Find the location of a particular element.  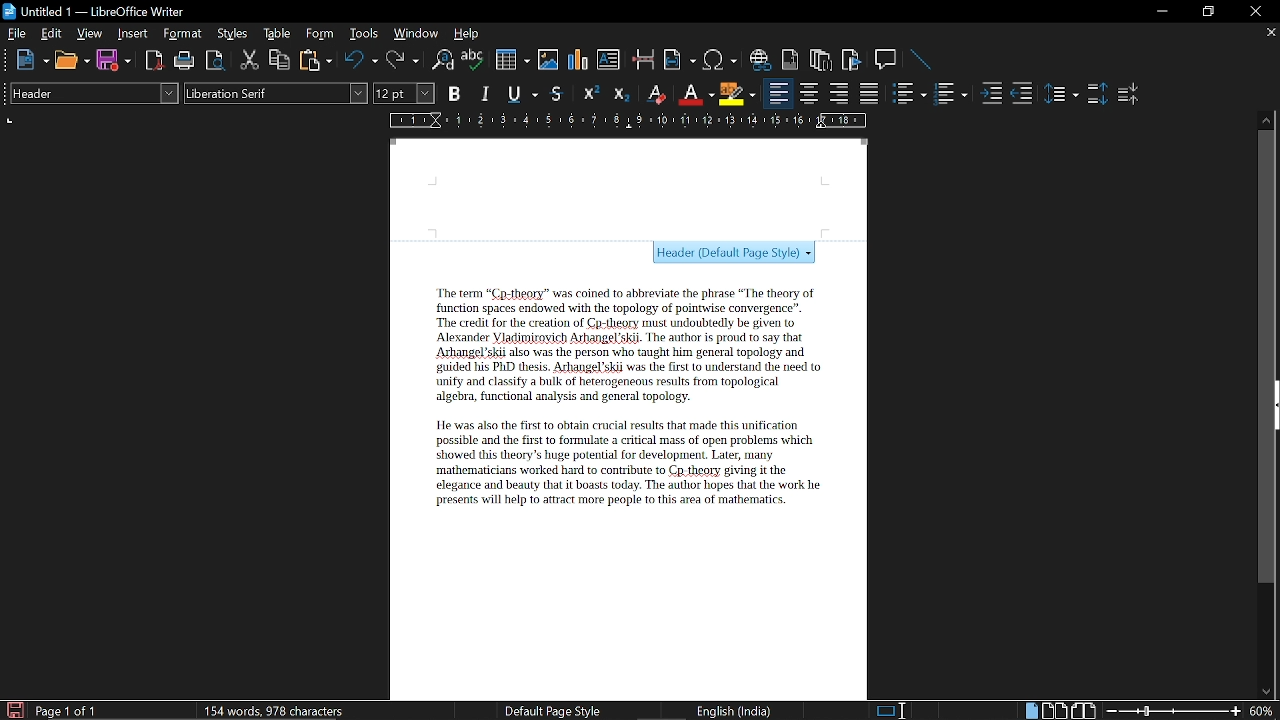

Print is located at coordinates (185, 61).